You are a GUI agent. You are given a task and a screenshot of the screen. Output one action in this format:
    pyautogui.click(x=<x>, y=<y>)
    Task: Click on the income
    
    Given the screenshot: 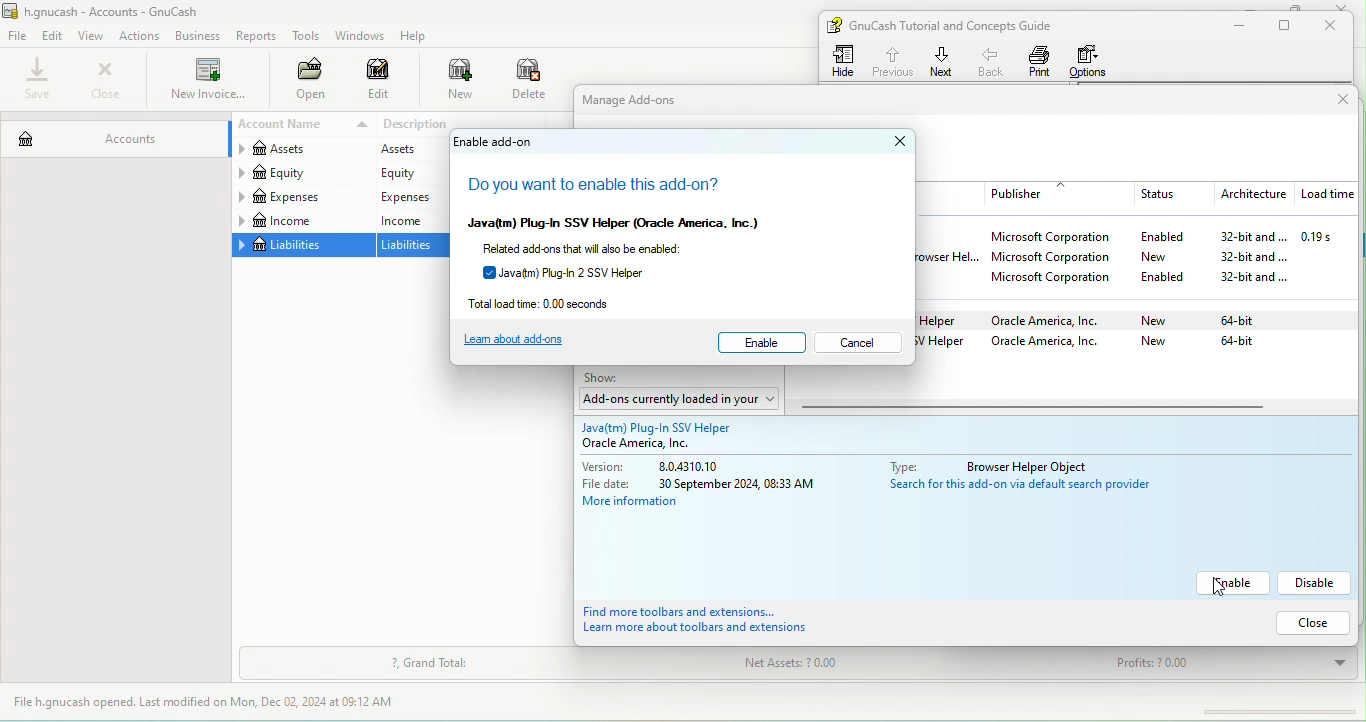 What is the action you would take?
    pyautogui.click(x=302, y=221)
    